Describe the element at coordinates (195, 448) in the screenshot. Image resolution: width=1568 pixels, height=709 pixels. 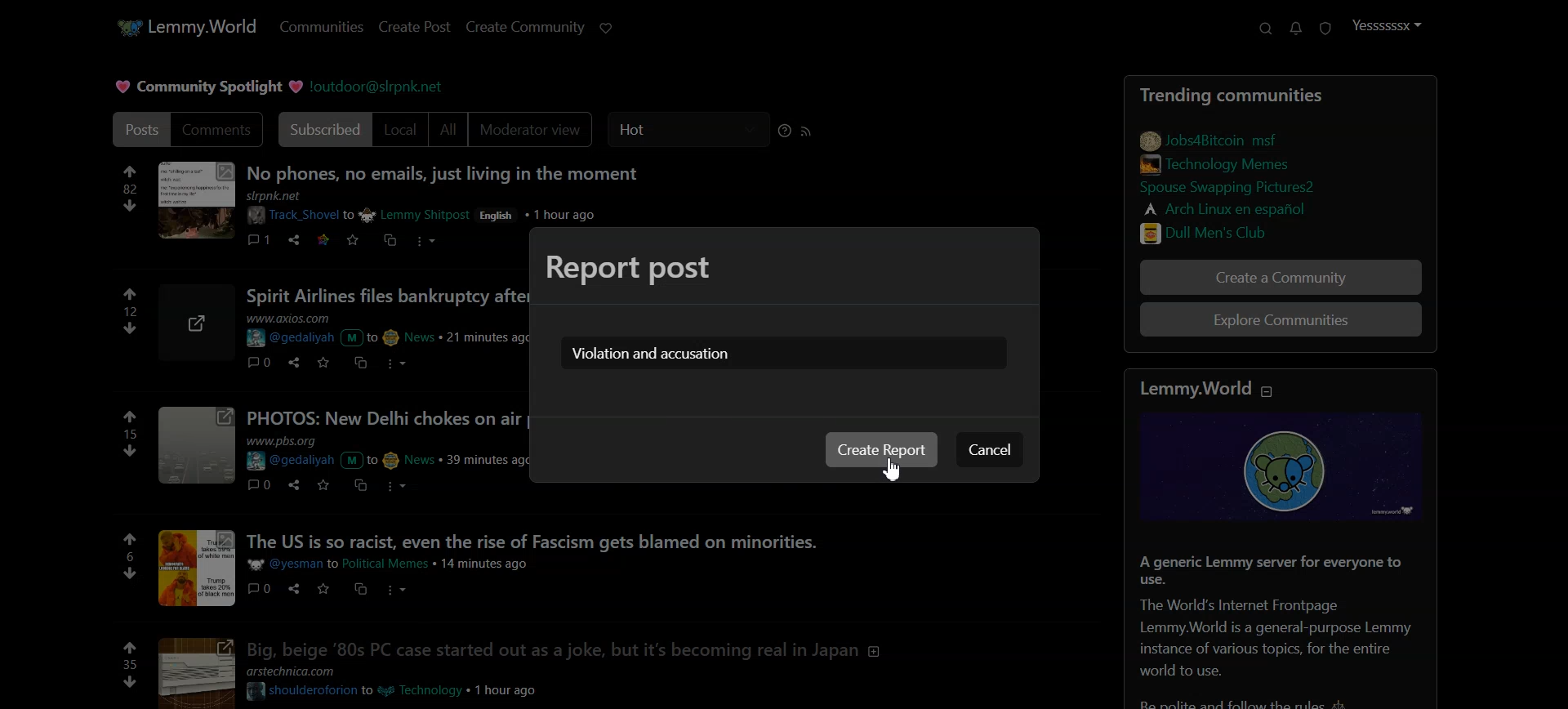
I see `image` at that location.